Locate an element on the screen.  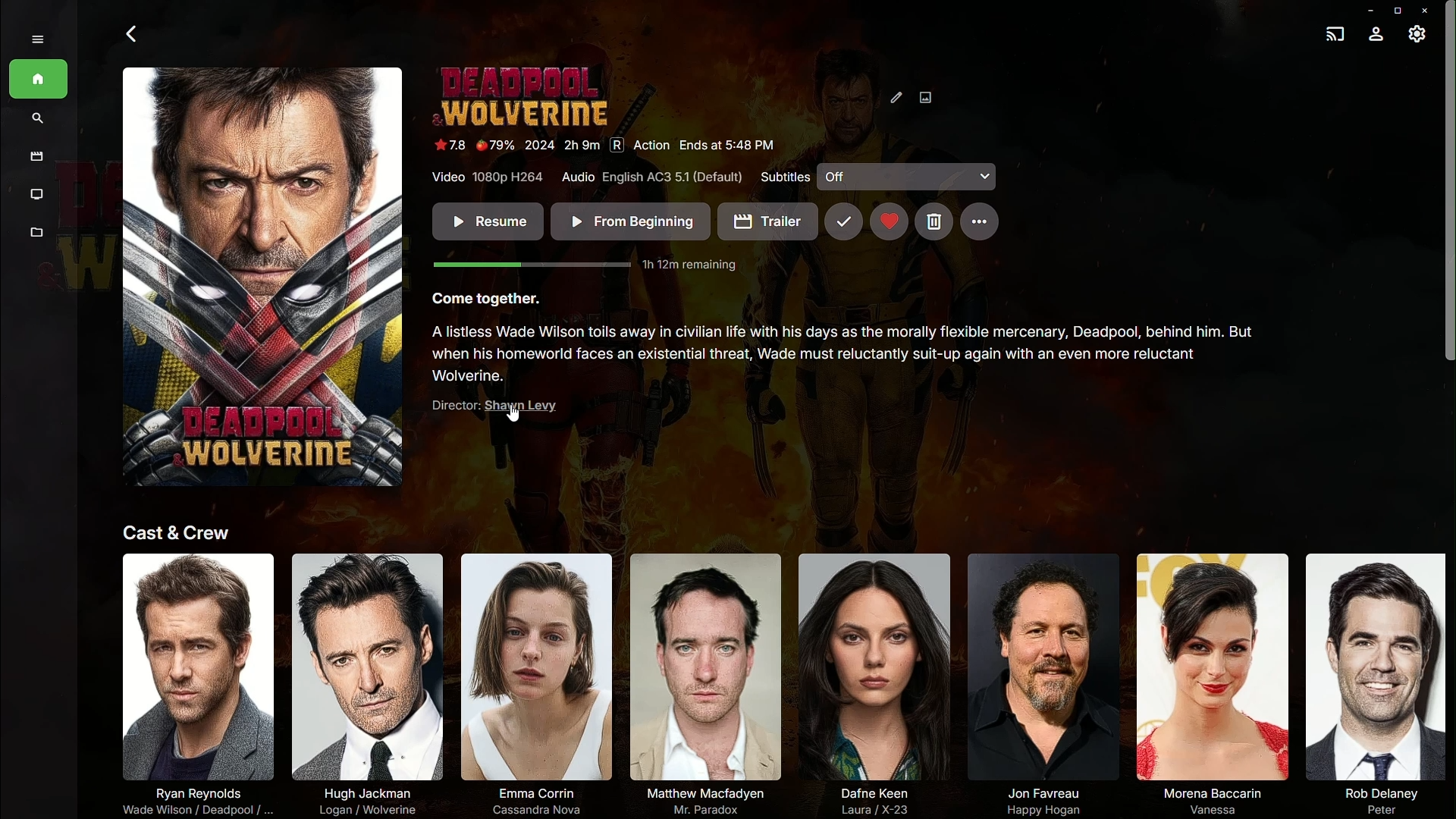
Resume is located at coordinates (485, 223).